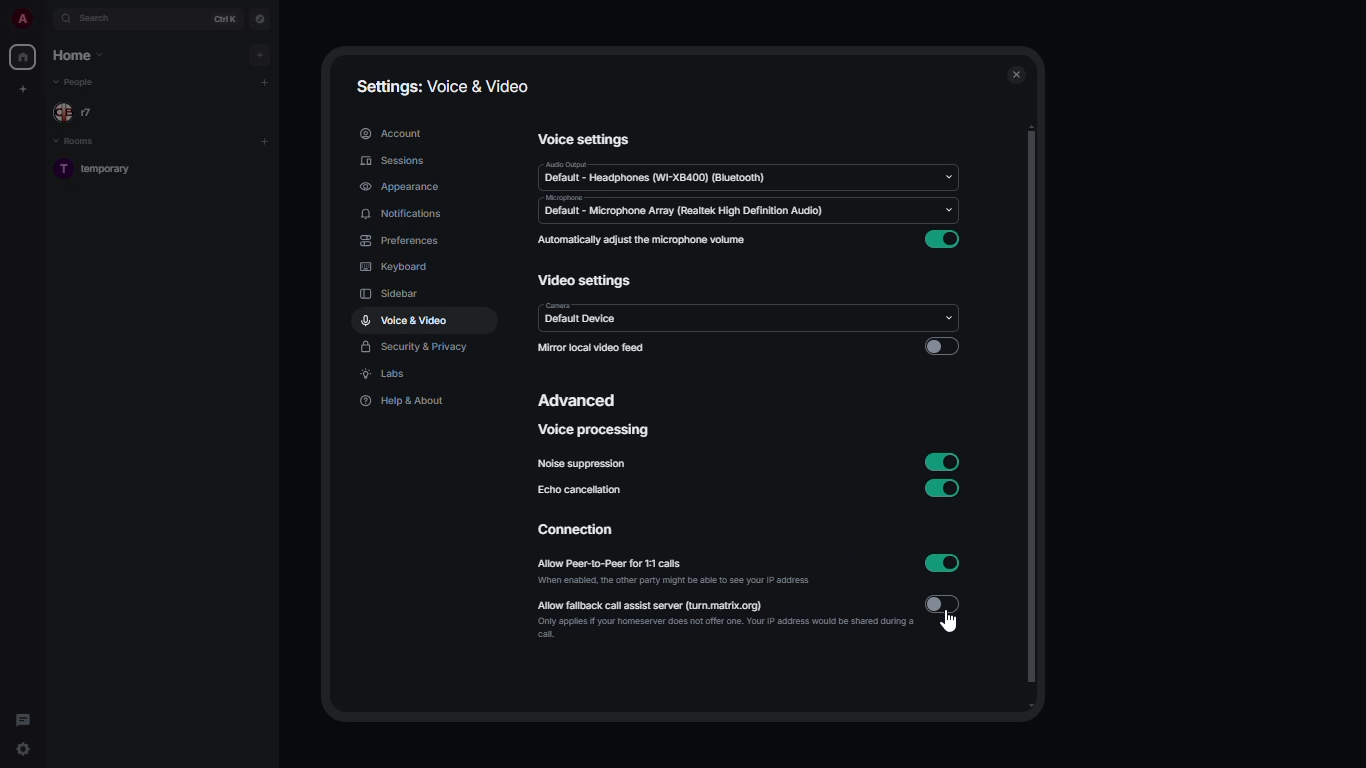 The image size is (1366, 768). Describe the element at coordinates (584, 319) in the screenshot. I see `camera default` at that location.